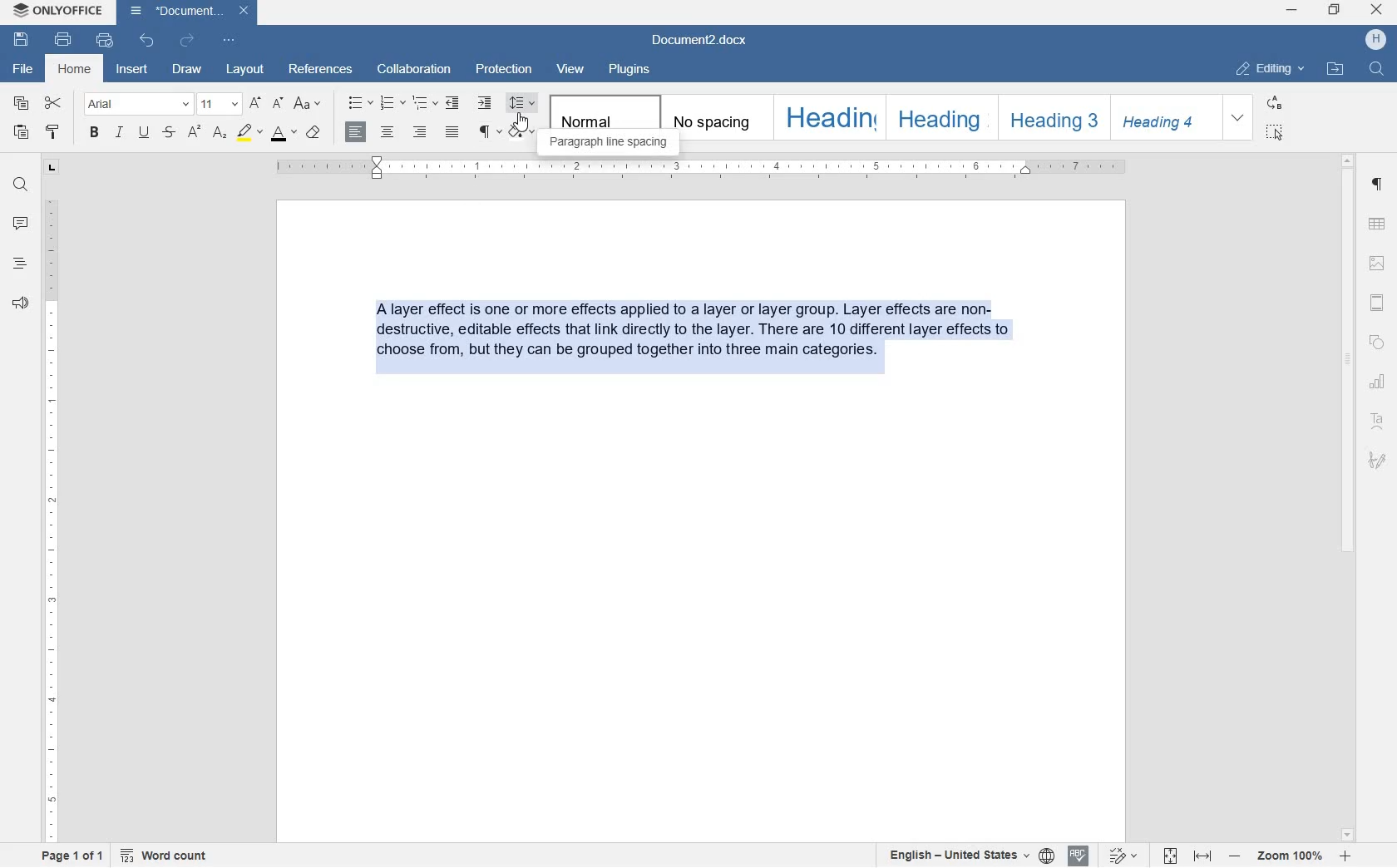  I want to click on align right, so click(419, 132).